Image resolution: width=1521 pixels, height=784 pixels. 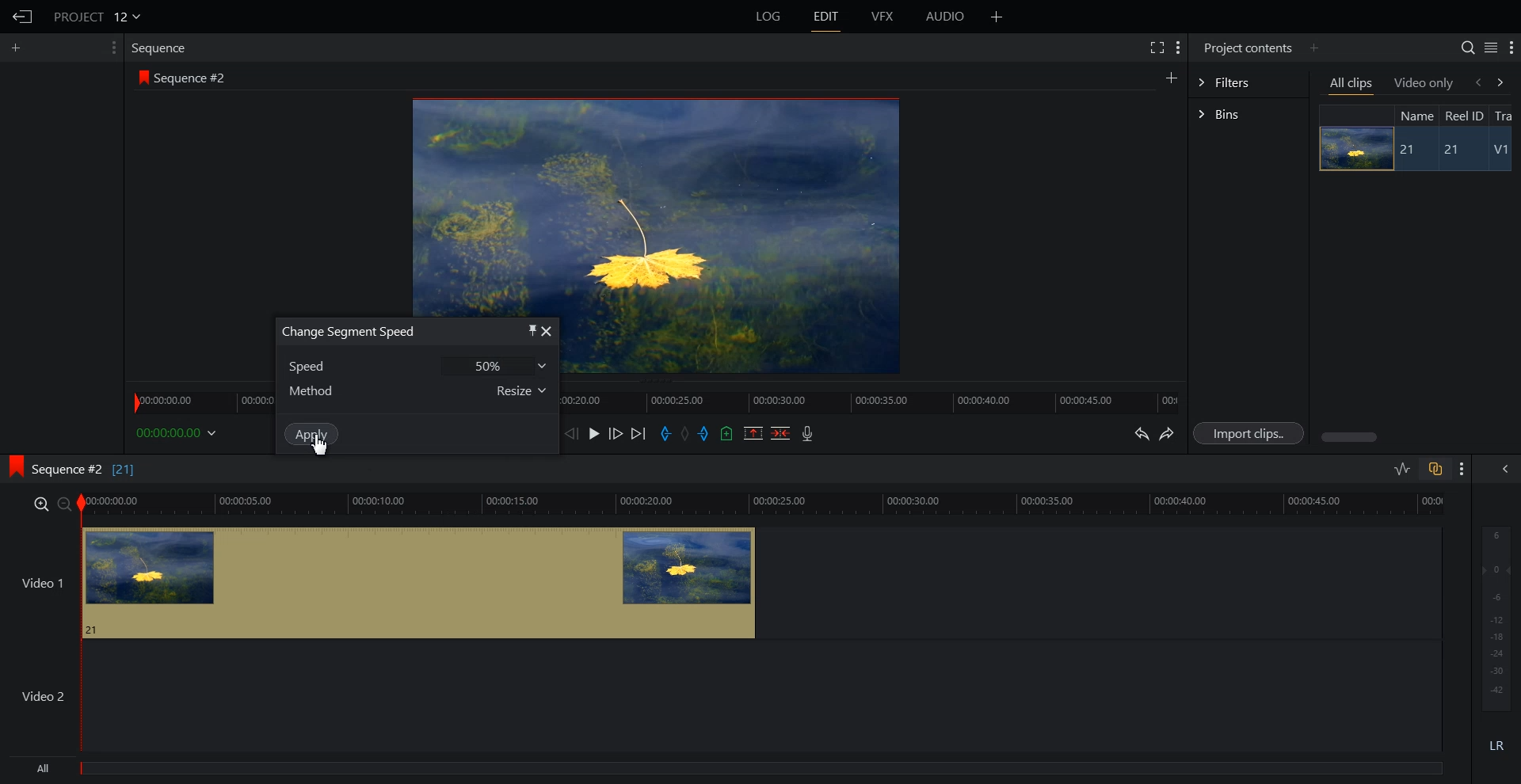 I want to click on video preview, so click(x=731, y=342).